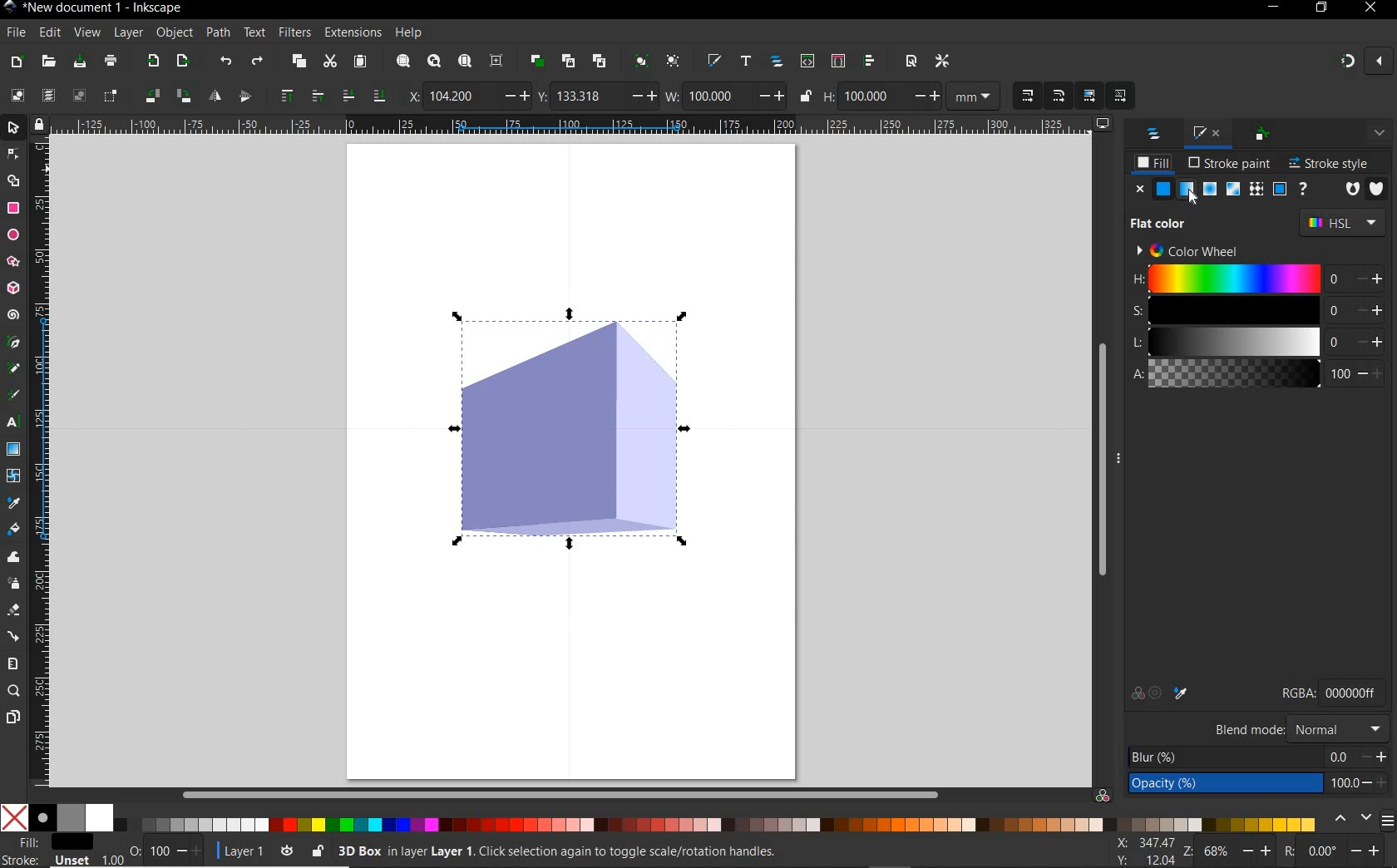 The height and width of the screenshot is (868, 1397). What do you see at coordinates (1234, 374) in the screenshot?
I see `A` at bounding box center [1234, 374].